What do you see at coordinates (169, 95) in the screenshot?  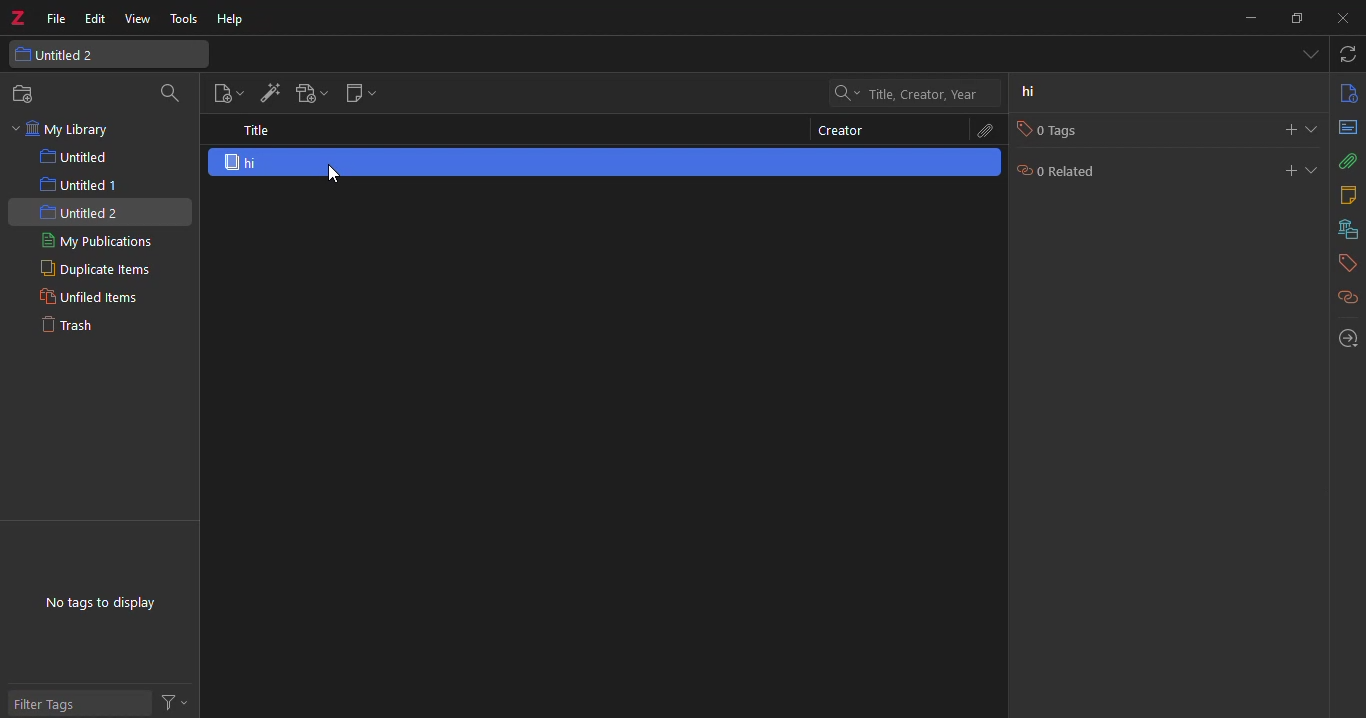 I see `search` at bounding box center [169, 95].